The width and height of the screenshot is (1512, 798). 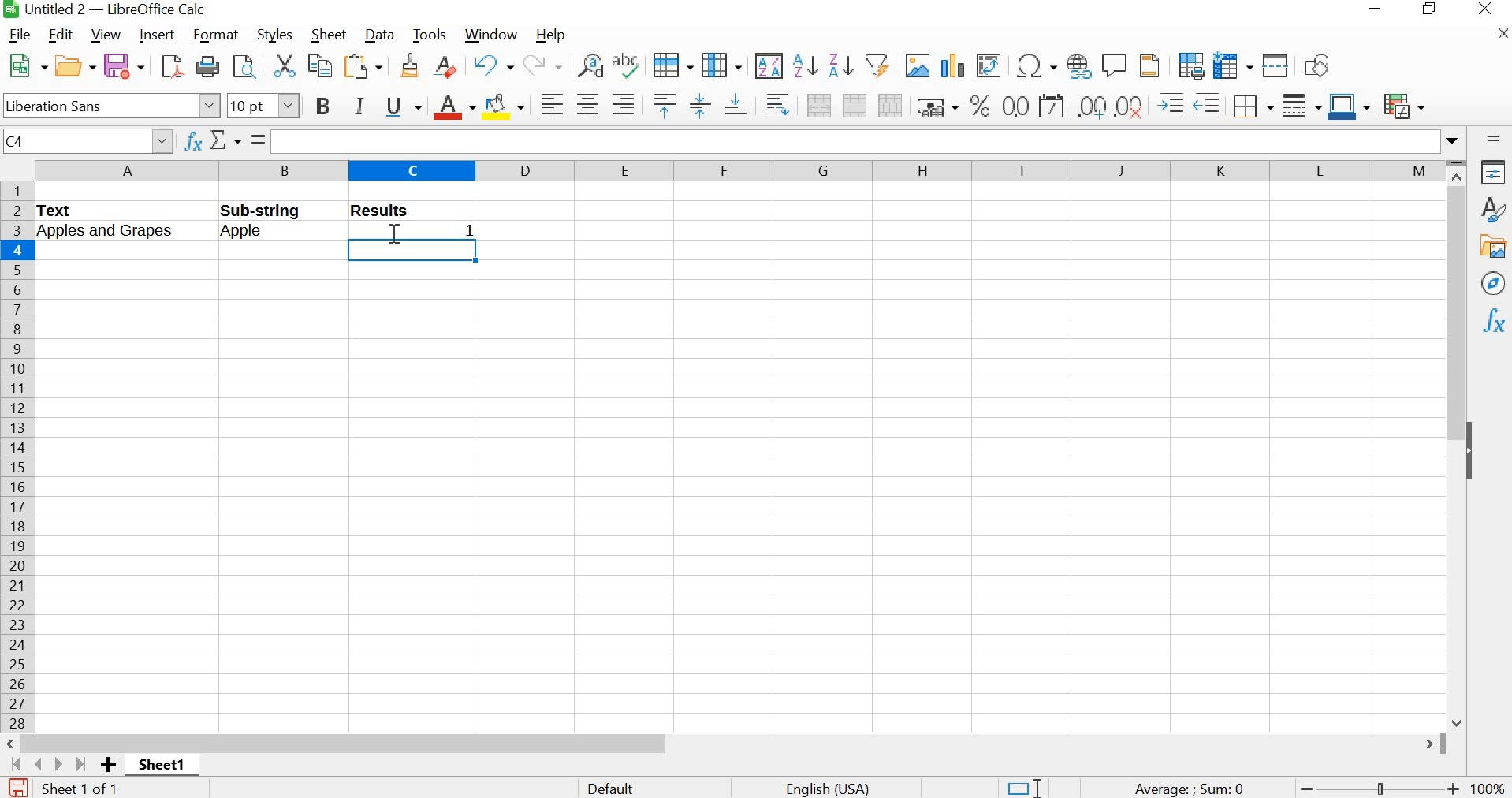 What do you see at coordinates (1380, 787) in the screenshot?
I see `zoom out or zoom in` at bounding box center [1380, 787].